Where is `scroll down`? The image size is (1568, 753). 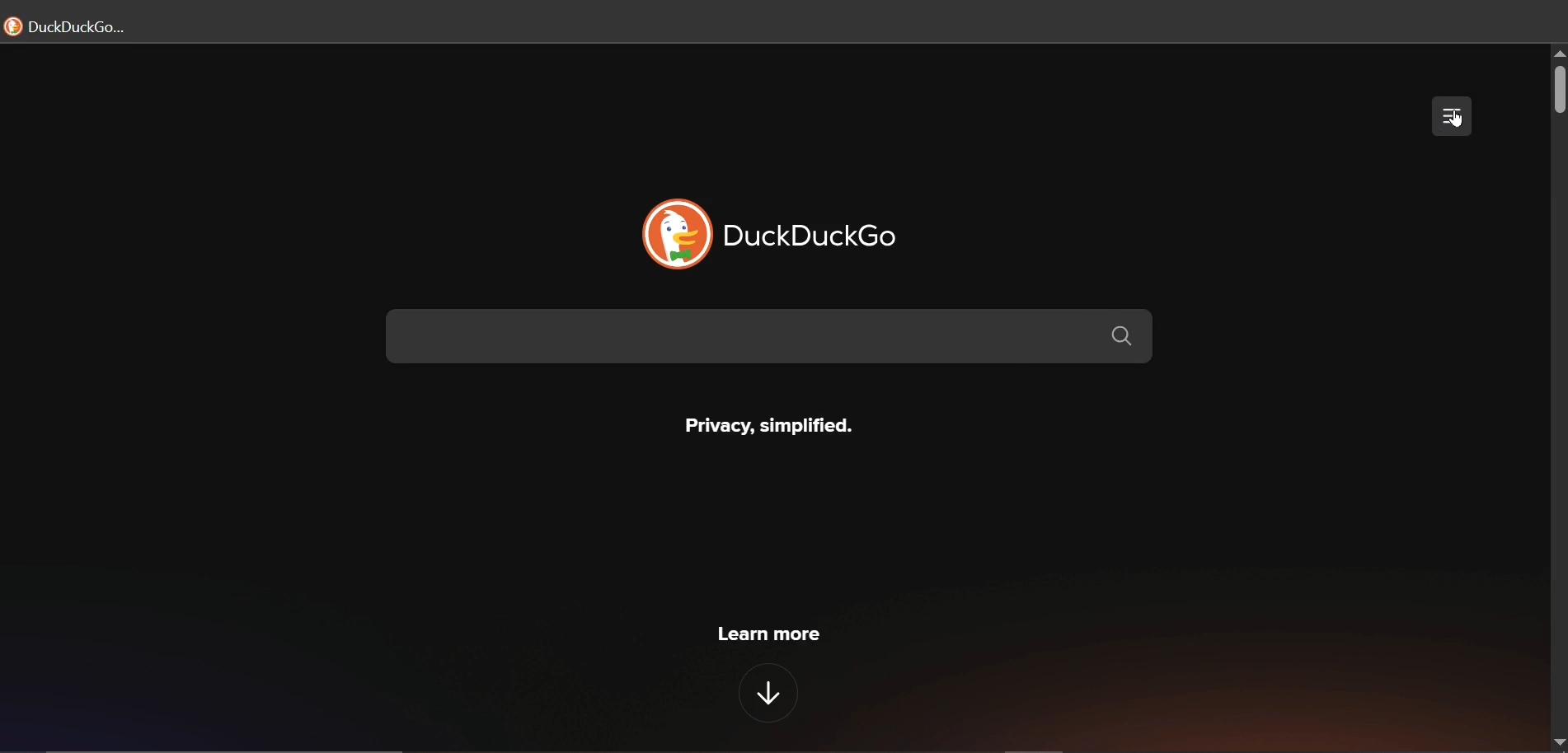 scroll down is located at coordinates (1558, 743).